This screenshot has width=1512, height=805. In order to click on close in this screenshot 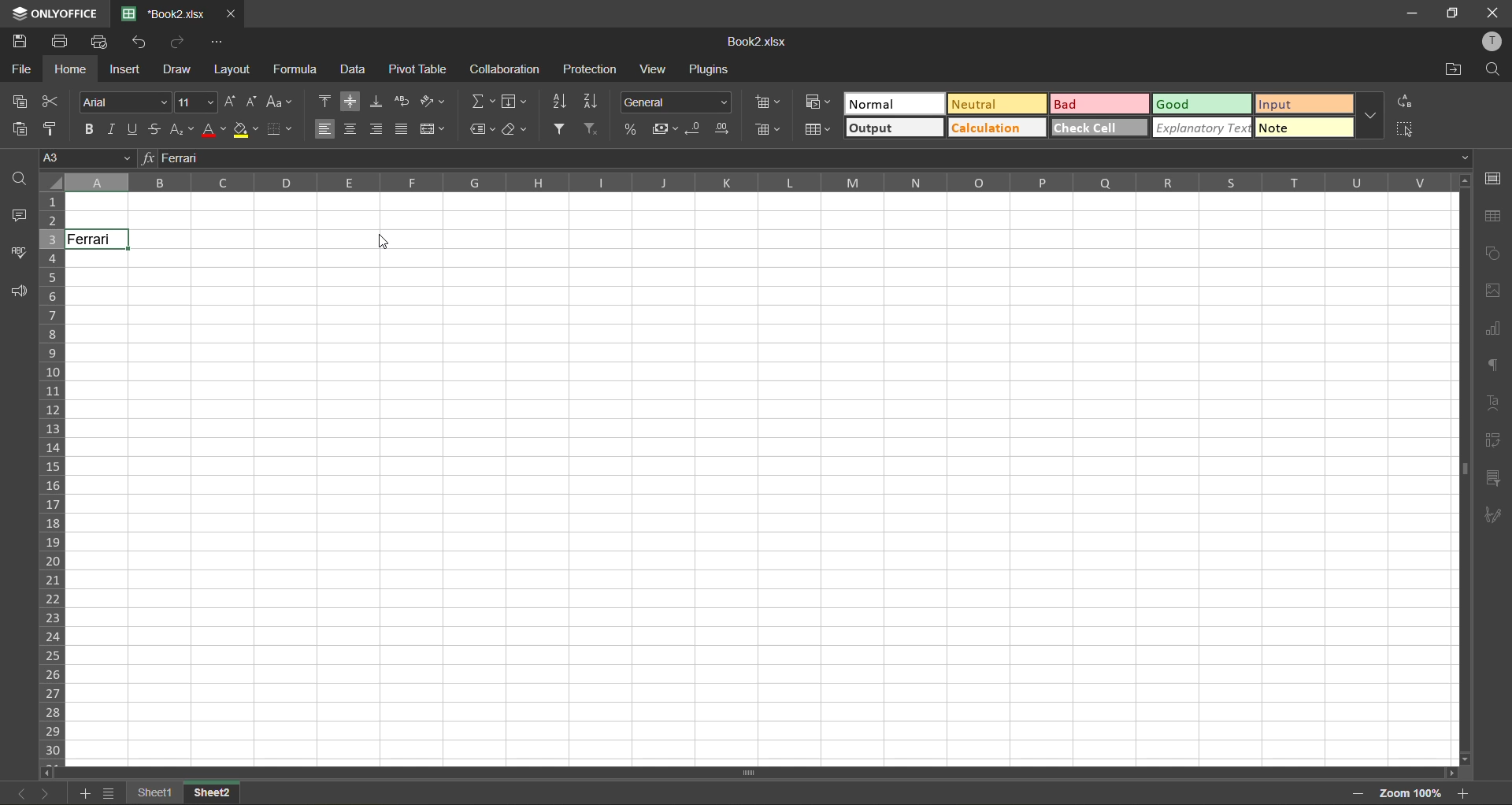, I will do `click(234, 13)`.